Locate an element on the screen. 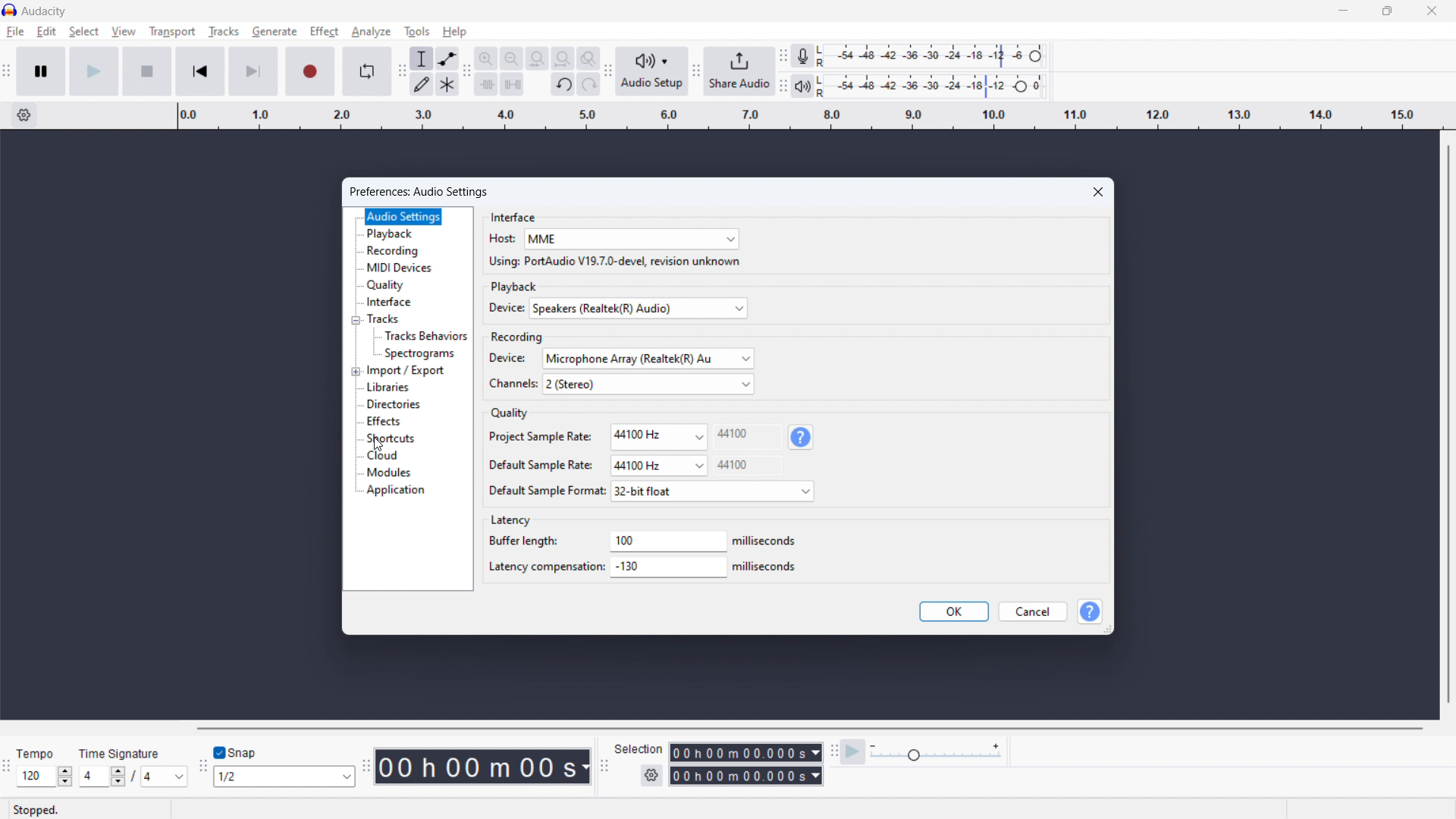 This screenshot has height=819, width=1456. cancel is located at coordinates (1034, 611).